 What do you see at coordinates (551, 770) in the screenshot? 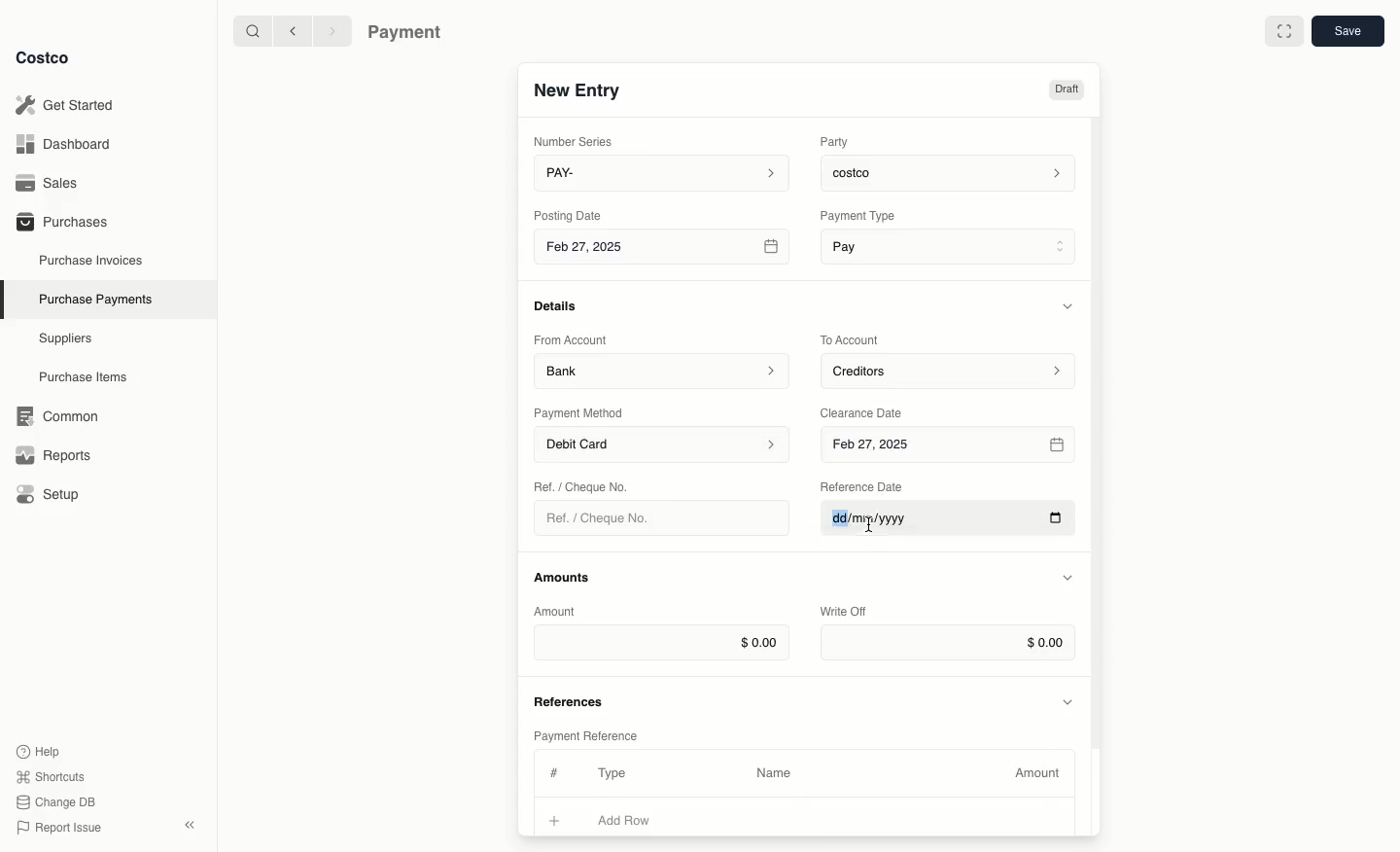
I see `#` at bounding box center [551, 770].